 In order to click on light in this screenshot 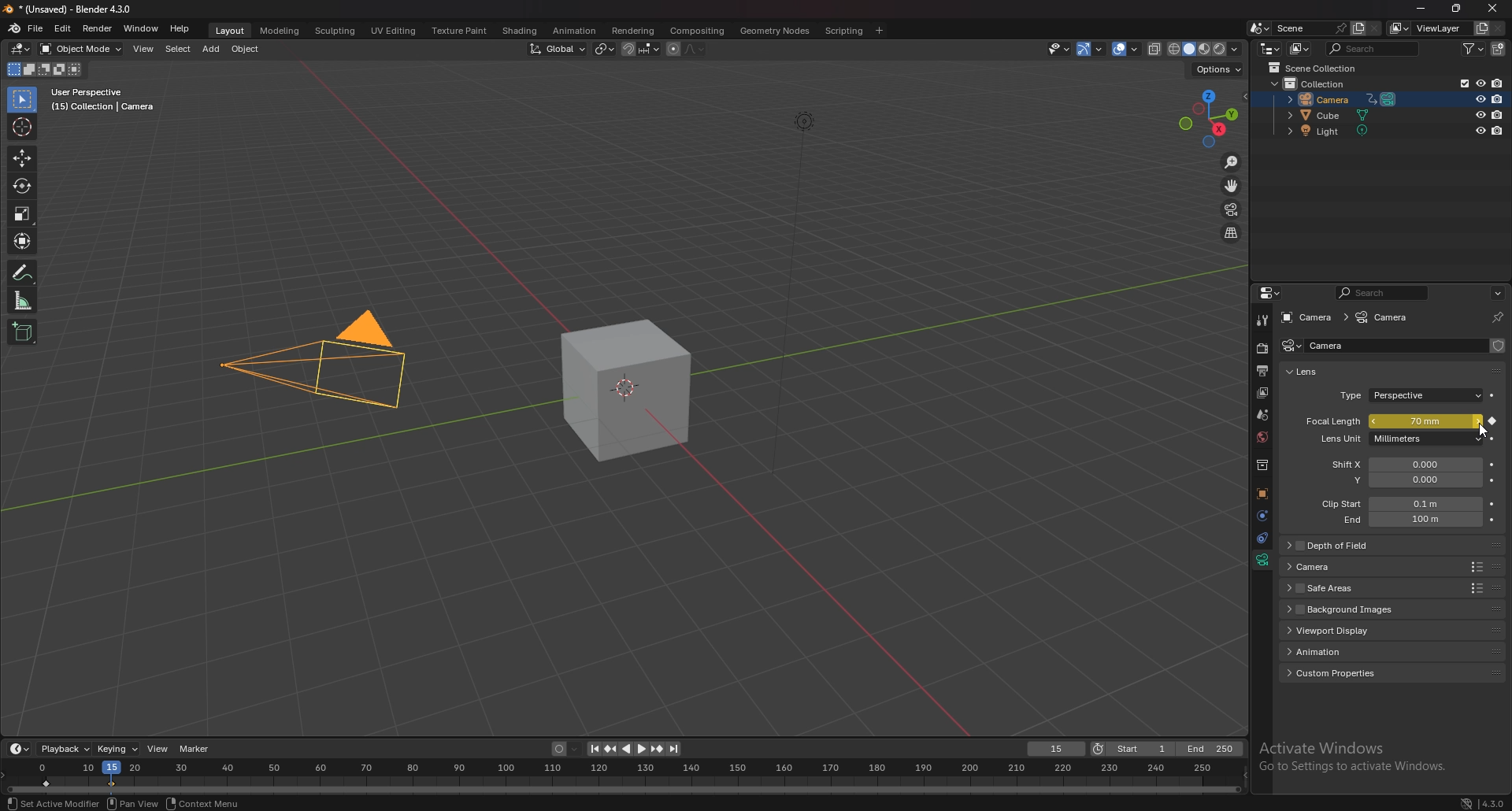, I will do `click(1333, 132)`.